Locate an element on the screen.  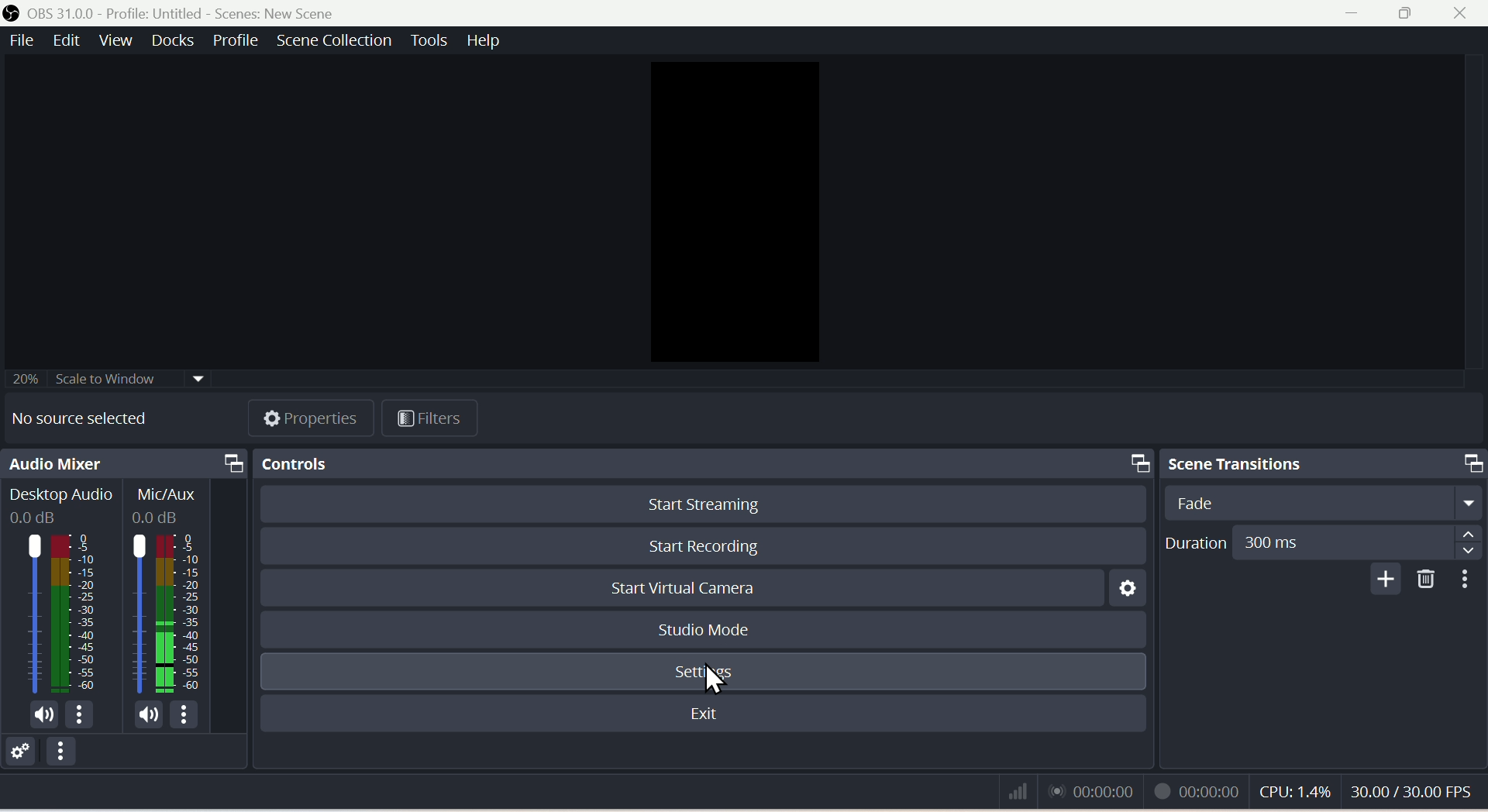
Delete is located at coordinates (1422, 580).